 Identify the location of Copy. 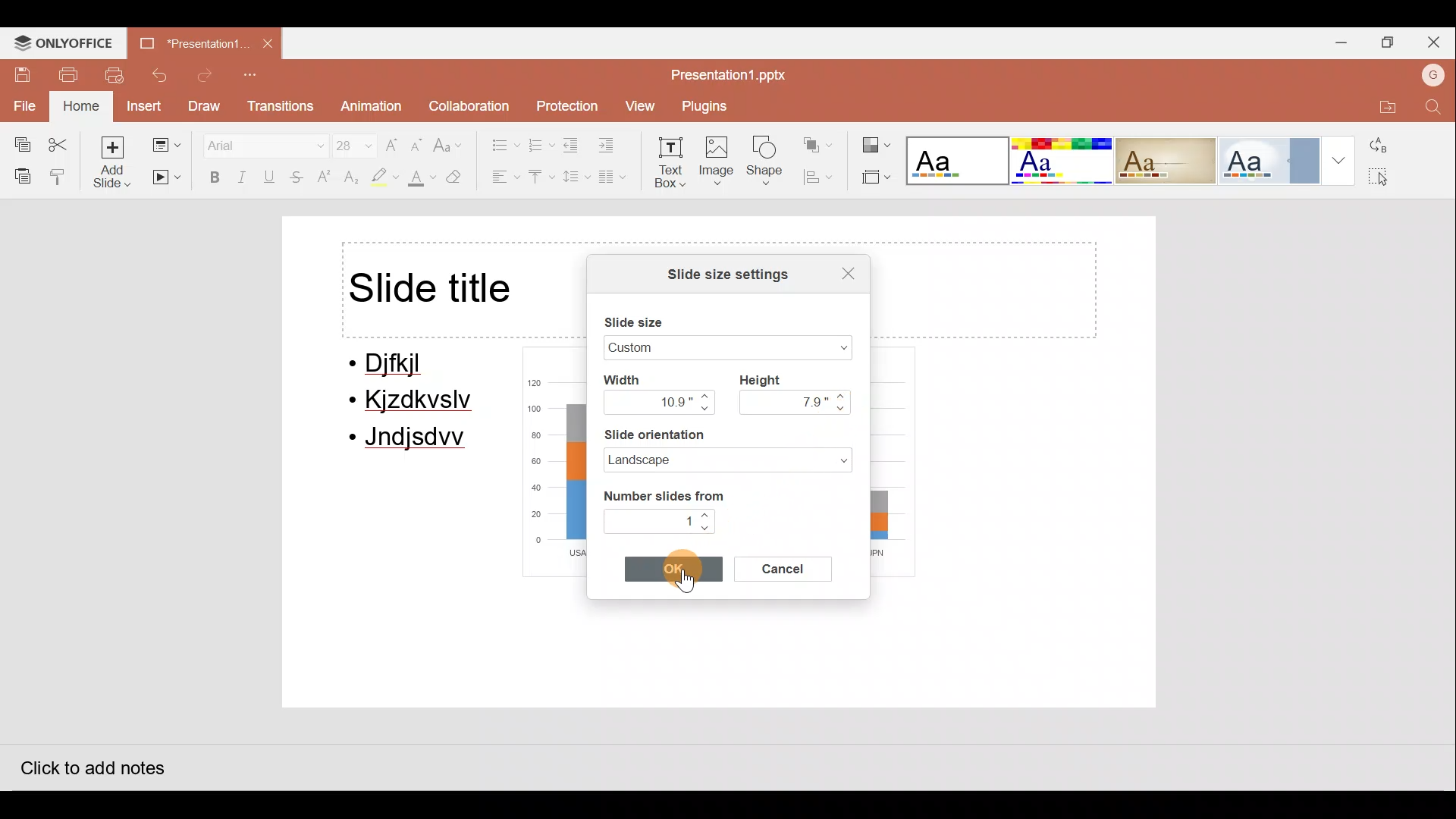
(17, 141).